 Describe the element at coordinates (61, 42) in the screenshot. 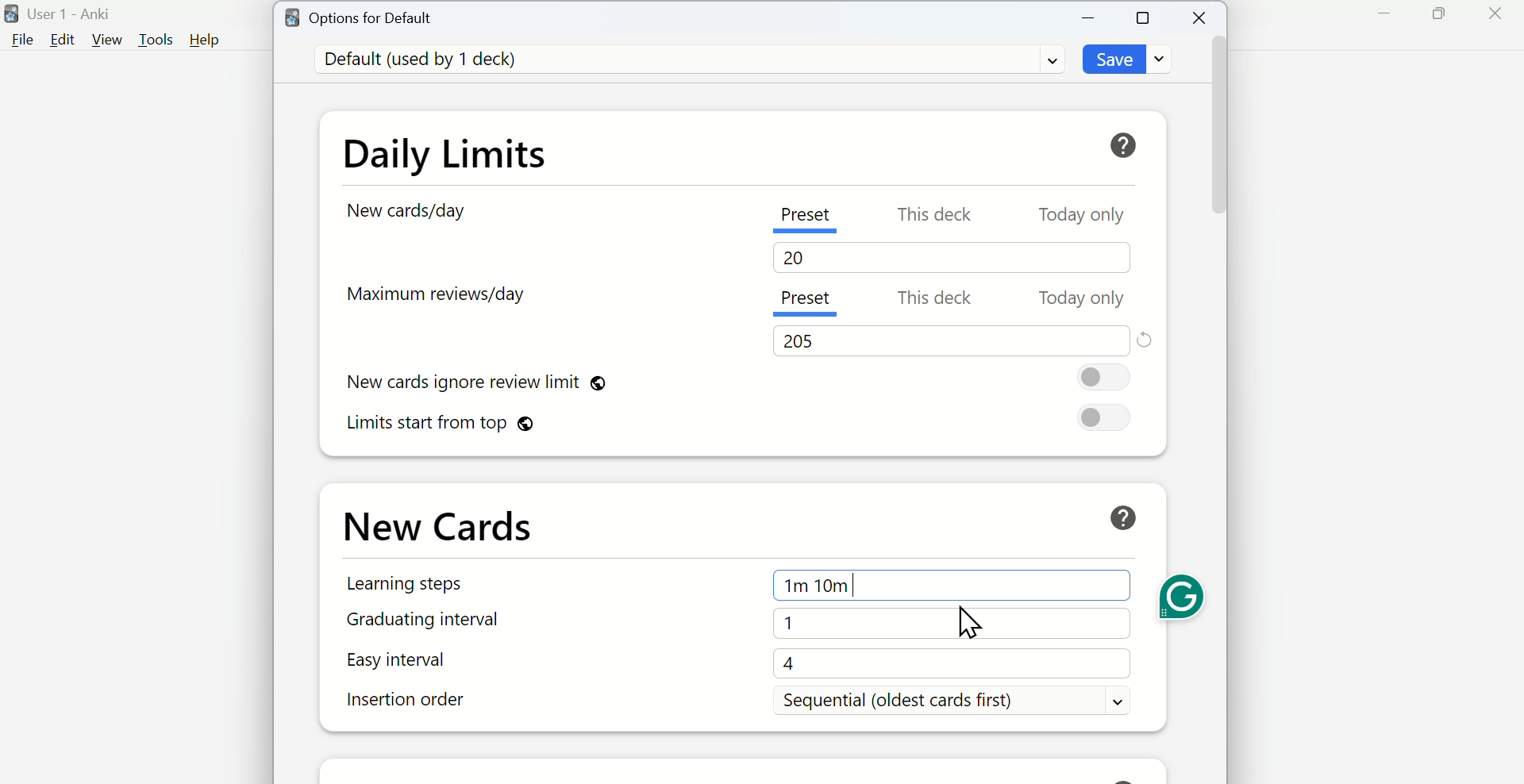

I see `Edit` at that location.